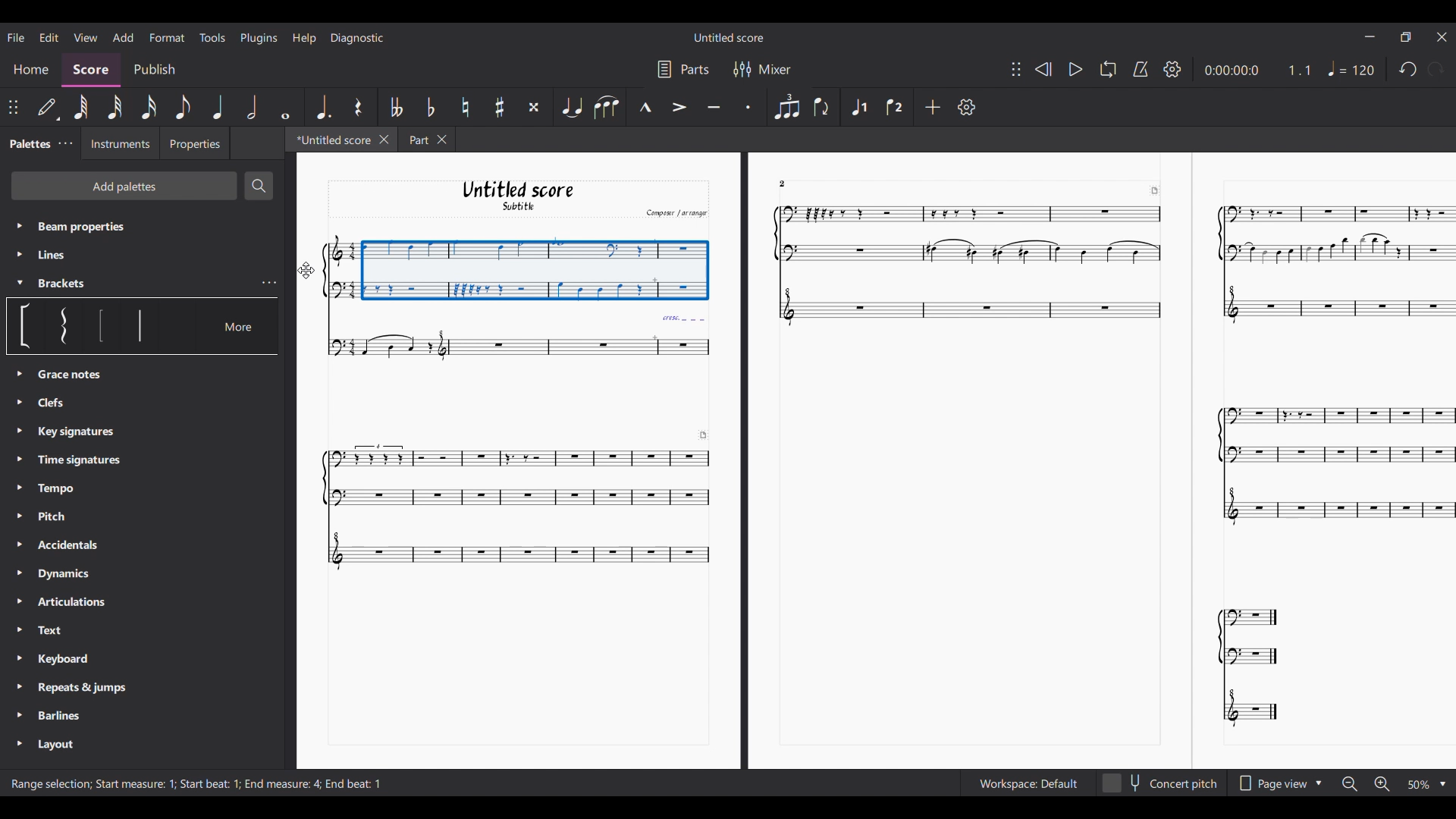 The height and width of the screenshot is (819, 1456). Describe the element at coordinates (1075, 70) in the screenshot. I see `Play` at that location.